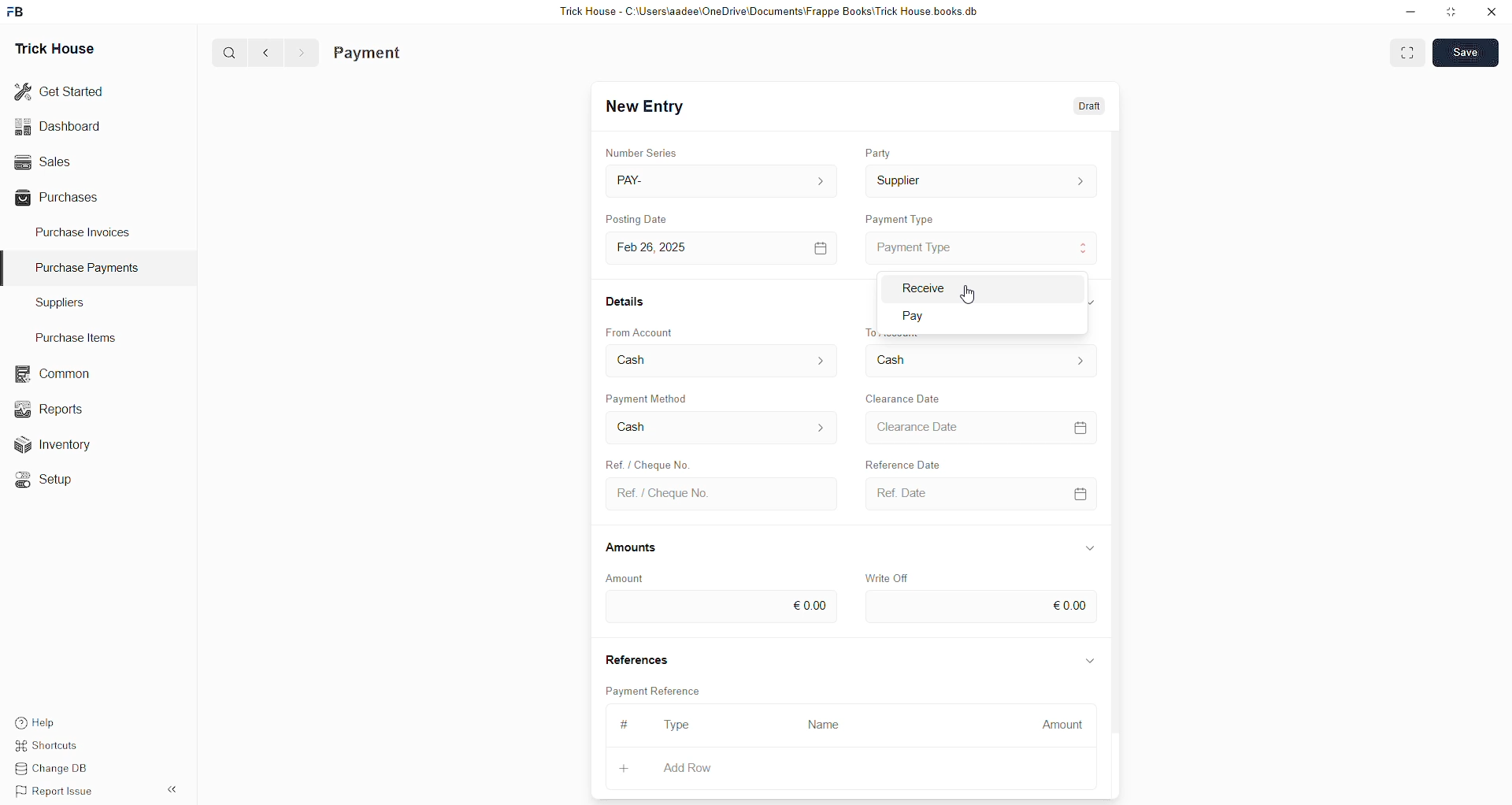 The image size is (1512, 805). Describe the element at coordinates (1452, 15) in the screenshot. I see `Maximize` at that location.